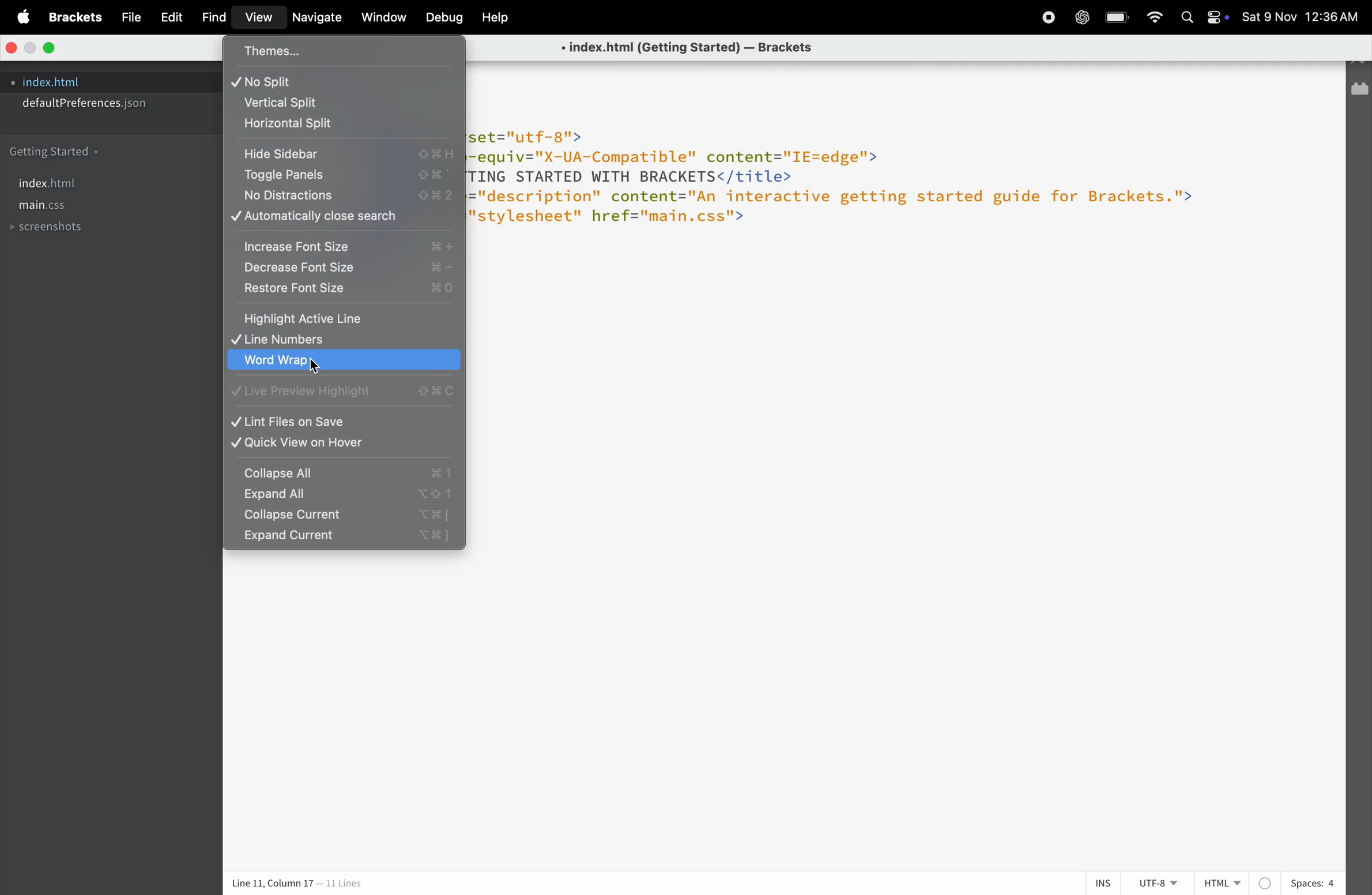  What do you see at coordinates (52, 47) in the screenshot?
I see `maximize` at bounding box center [52, 47].